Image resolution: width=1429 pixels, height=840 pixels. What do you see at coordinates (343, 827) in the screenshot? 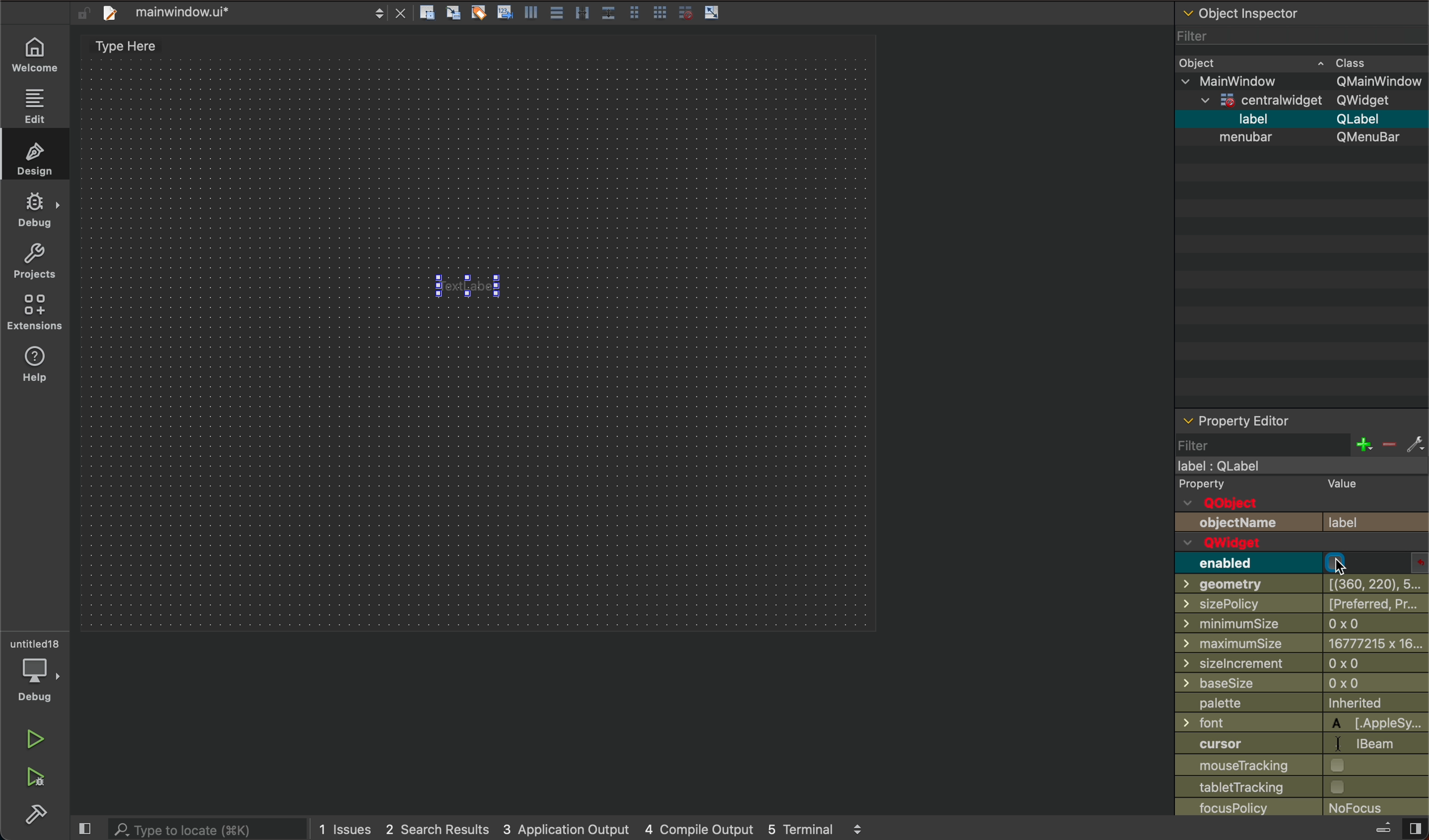
I see `1 issues` at bounding box center [343, 827].